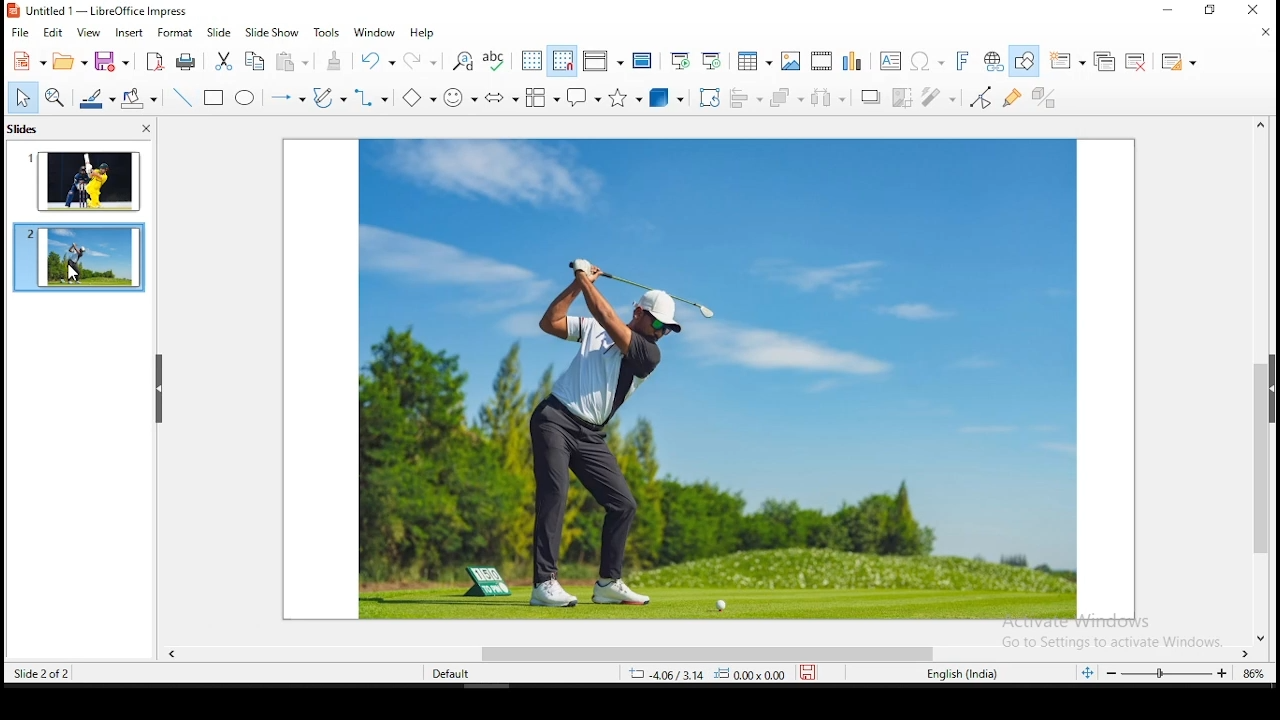 This screenshot has width=1280, height=720. Describe the element at coordinates (30, 60) in the screenshot. I see `new ` at that location.